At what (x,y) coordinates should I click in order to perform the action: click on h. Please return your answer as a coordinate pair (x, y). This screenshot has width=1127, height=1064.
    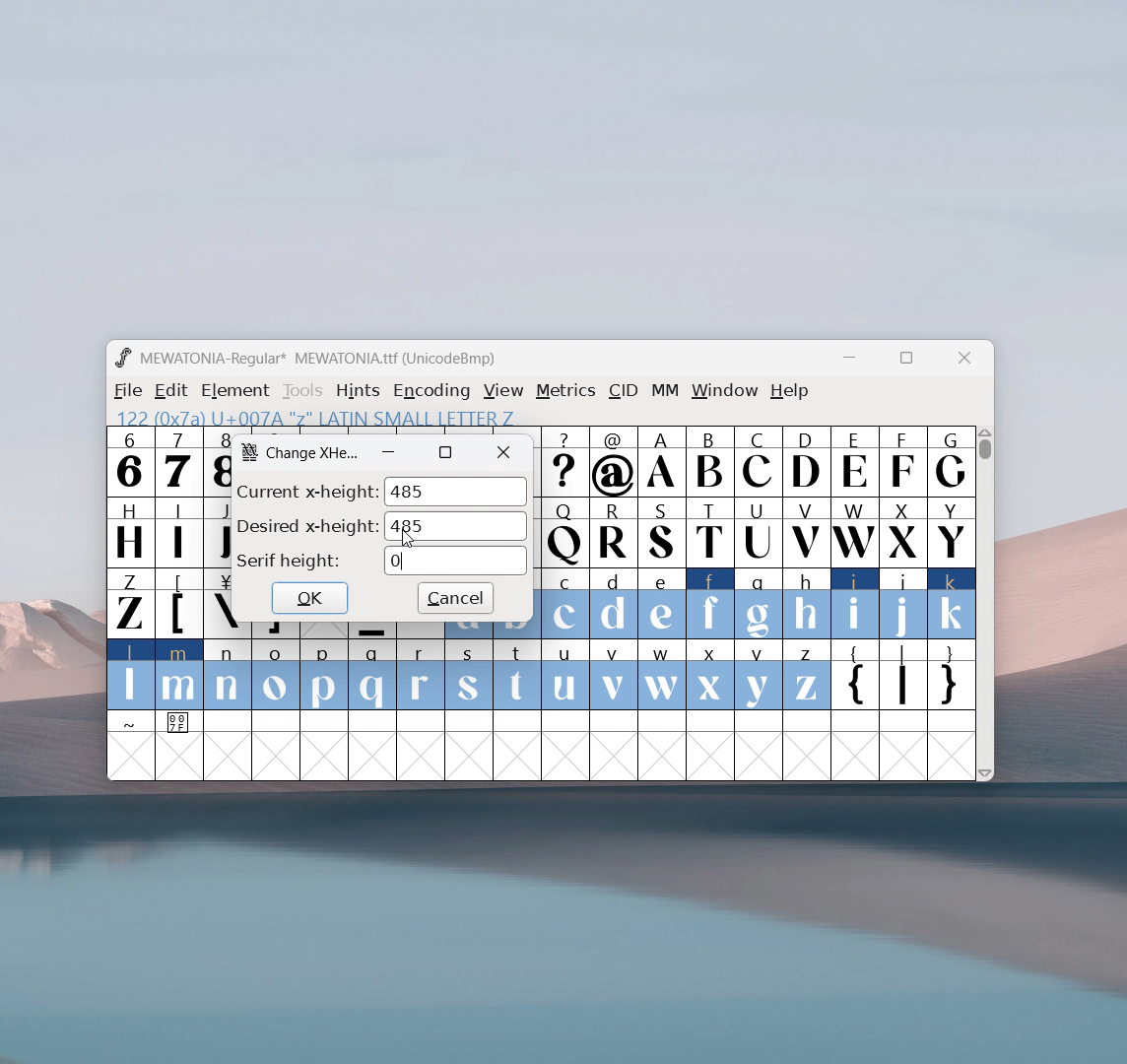
    Looking at the image, I should click on (805, 601).